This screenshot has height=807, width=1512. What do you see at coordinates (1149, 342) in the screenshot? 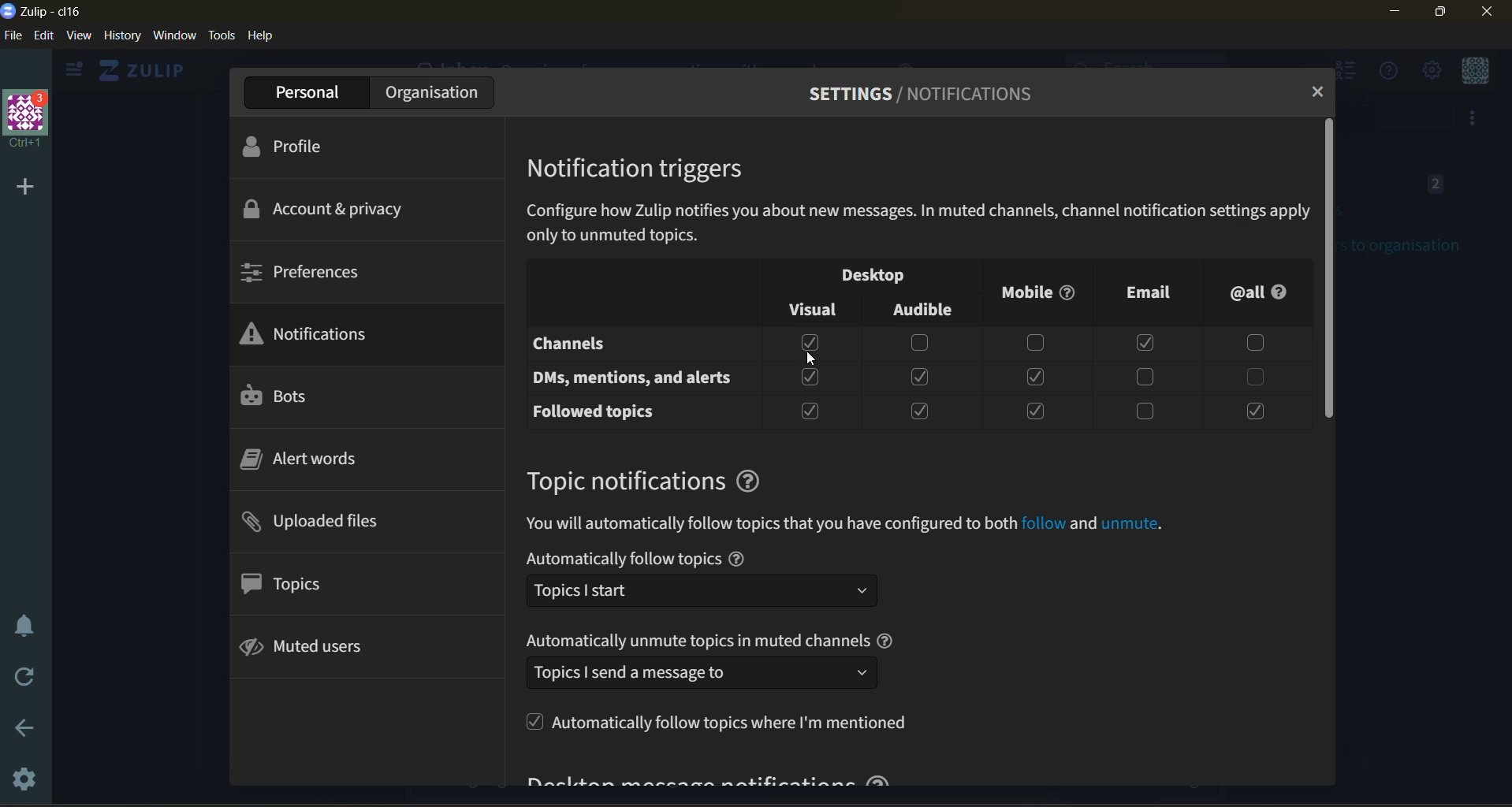
I see `checkbox` at bounding box center [1149, 342].